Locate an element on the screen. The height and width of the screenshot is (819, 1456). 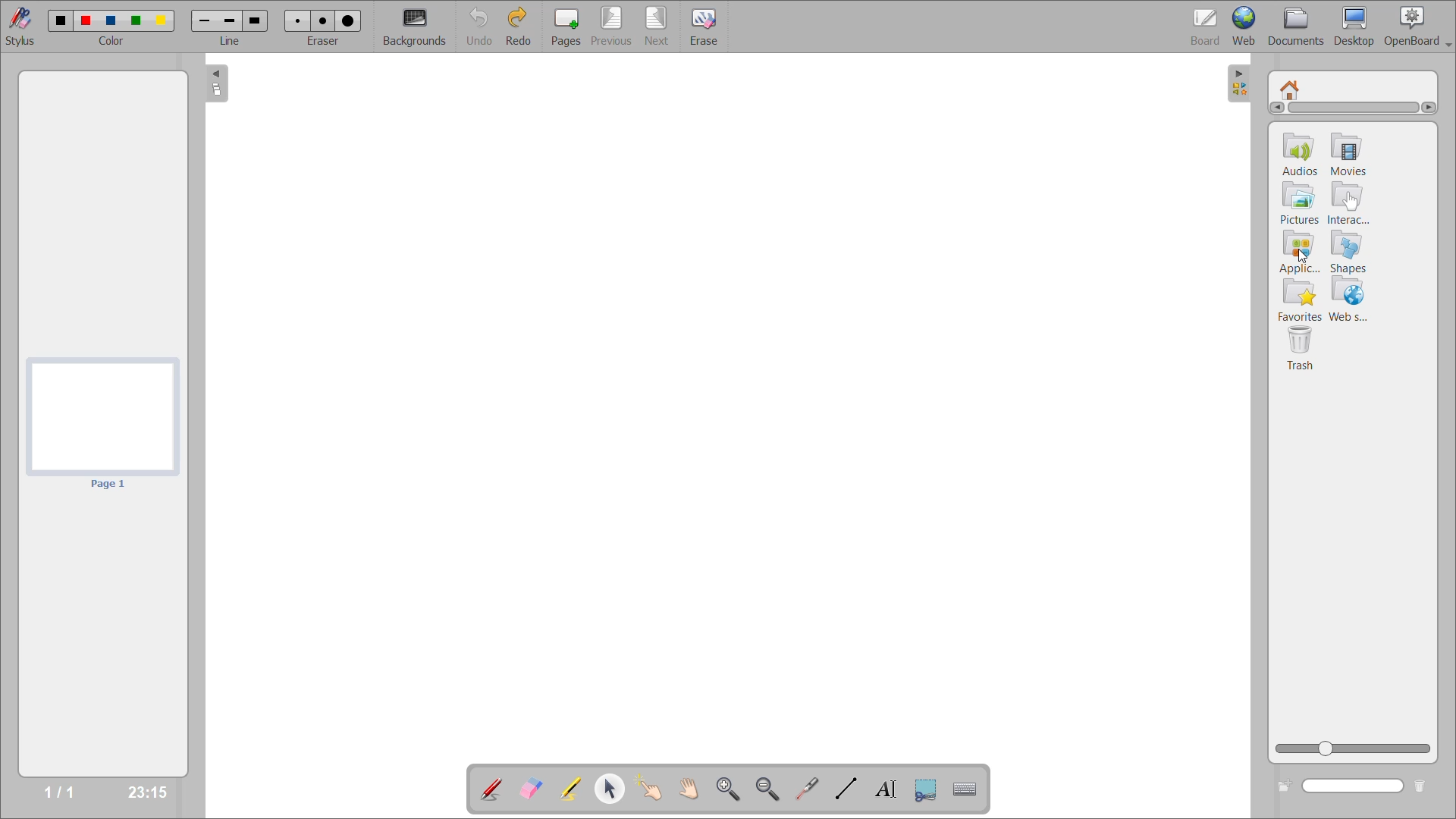
root is located at coordinates (1291, 89).